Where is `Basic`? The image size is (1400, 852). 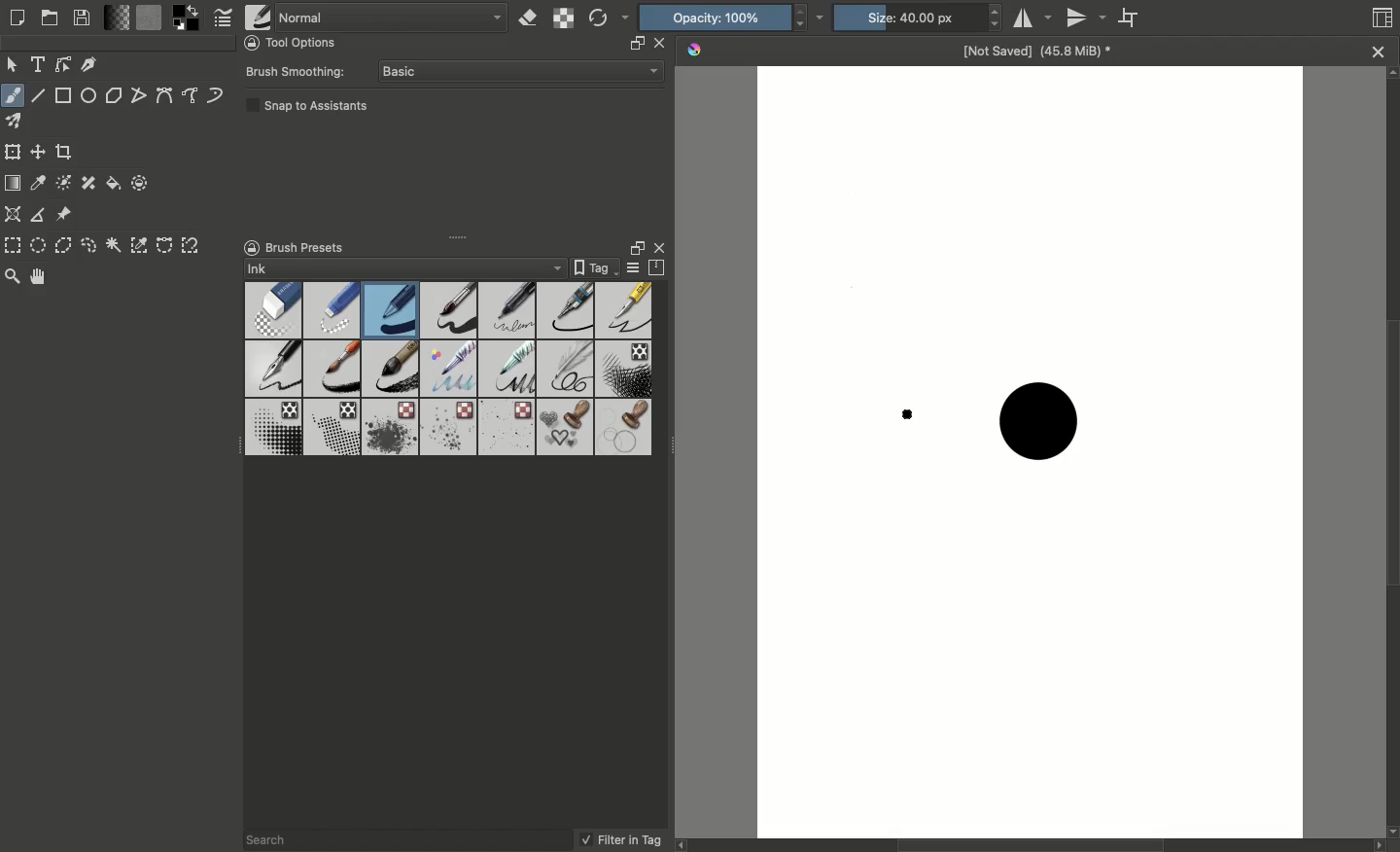
Basic is located at coordinates (520, 73).